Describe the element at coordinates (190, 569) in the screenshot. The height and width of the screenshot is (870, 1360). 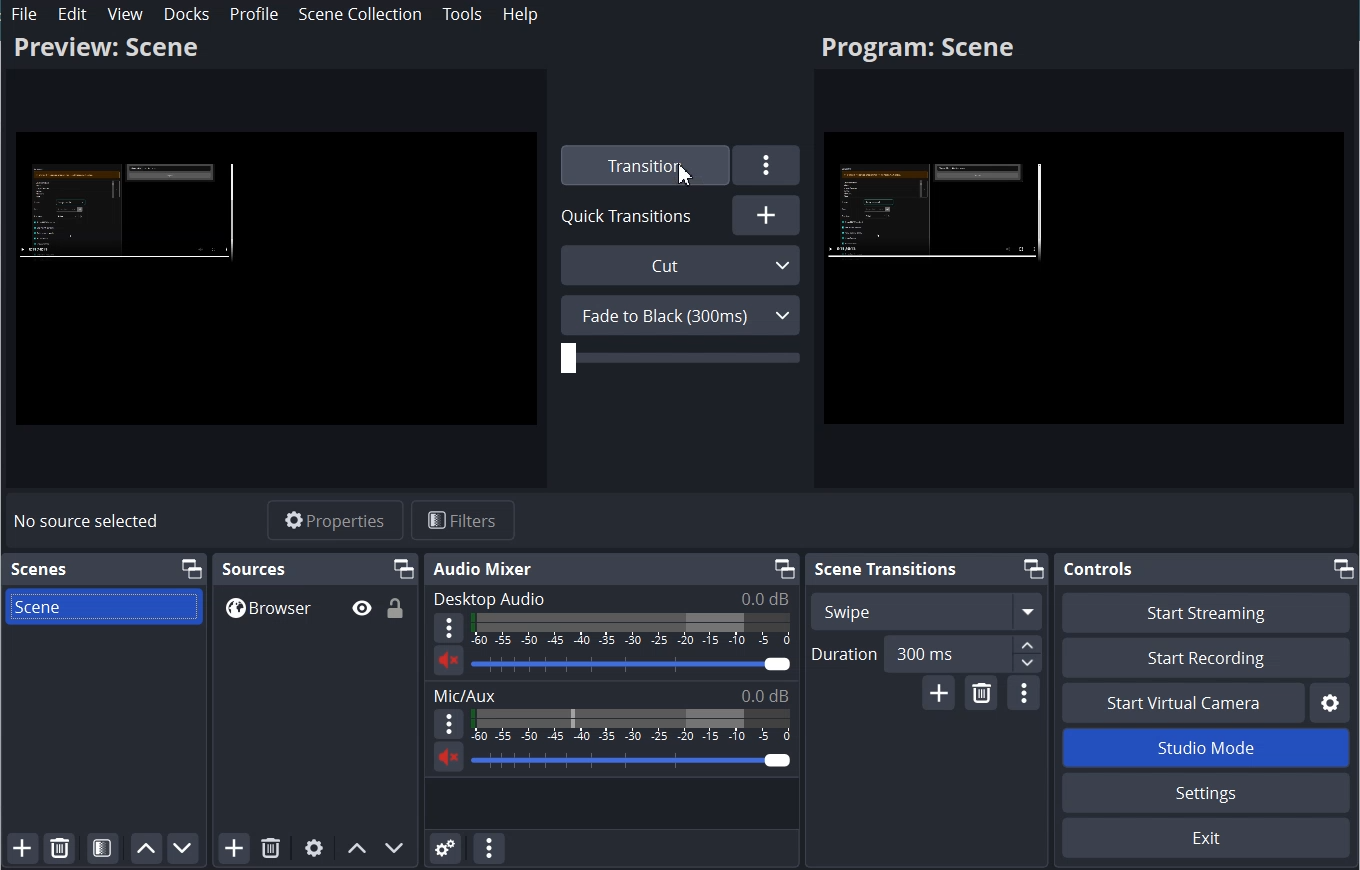
I see `Maximize` at that location.